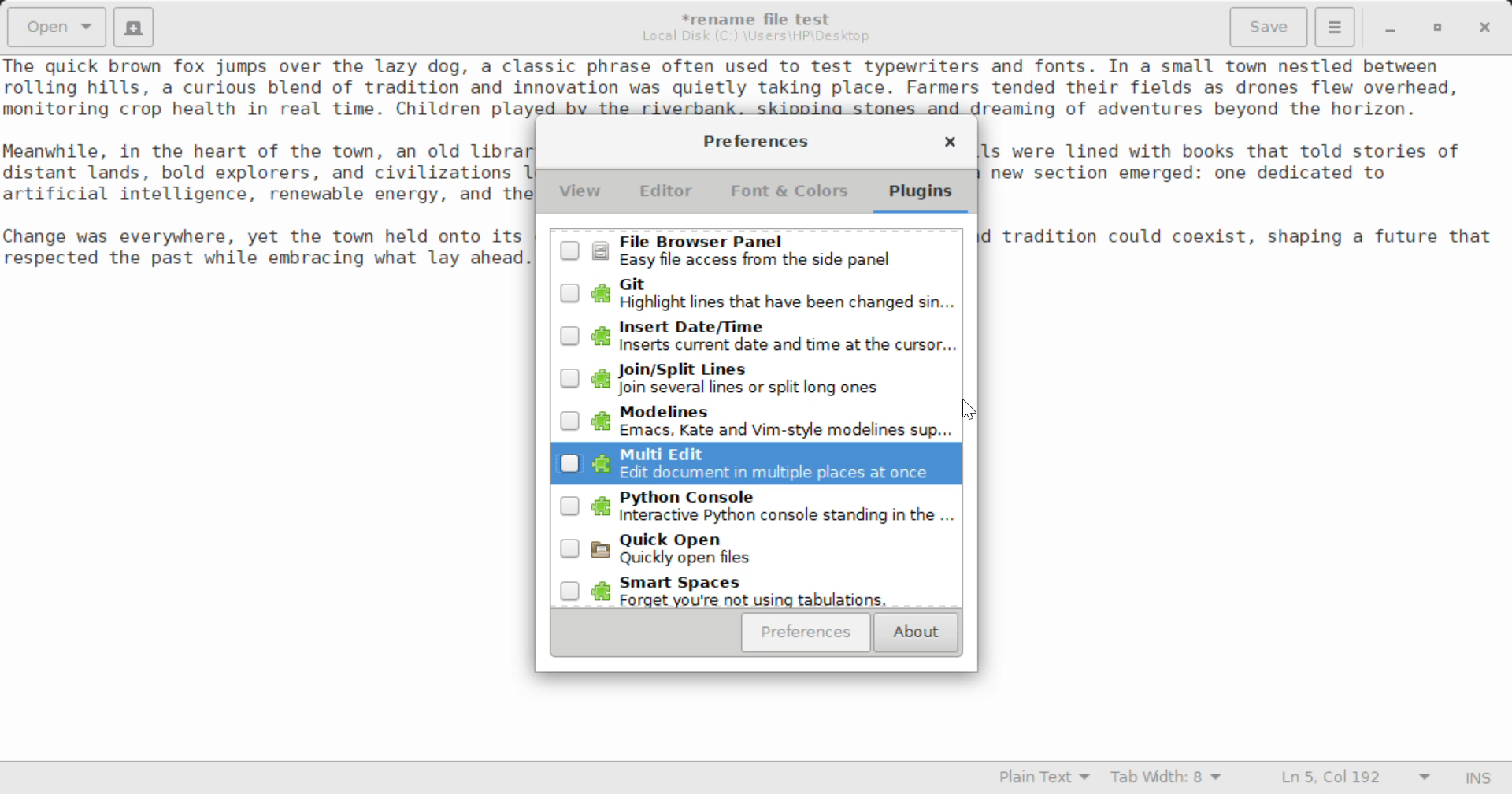 This screenshot has height=794, width=1512. Describe the element at coordinates (1388, 28) in the screenshot. I see `Restore Down` at that location.